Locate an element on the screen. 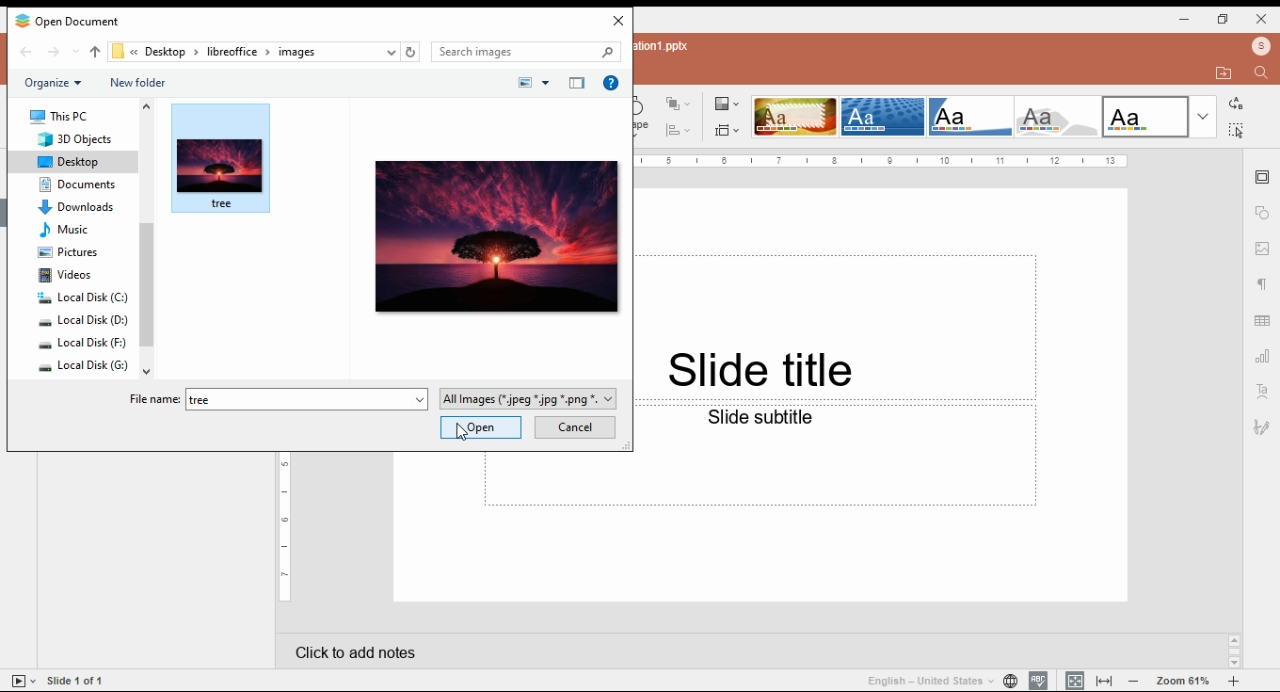 This screenshot has width=1280, height=692. theme 3 is located at coordinates (969, 117).